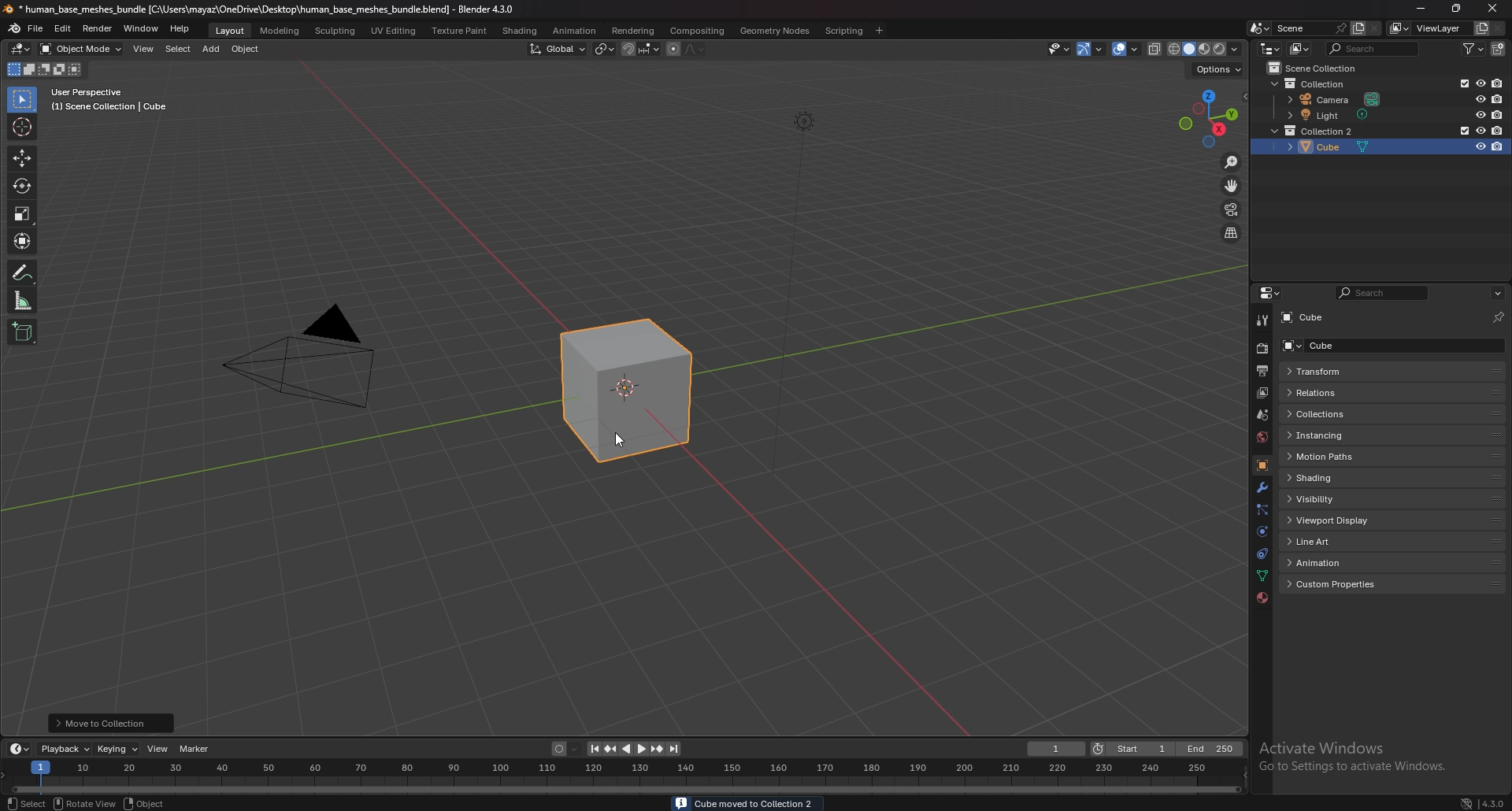 The height and width of the screenshot is (811, 1512). I want to click on disable in renders, so click(1498, 146).